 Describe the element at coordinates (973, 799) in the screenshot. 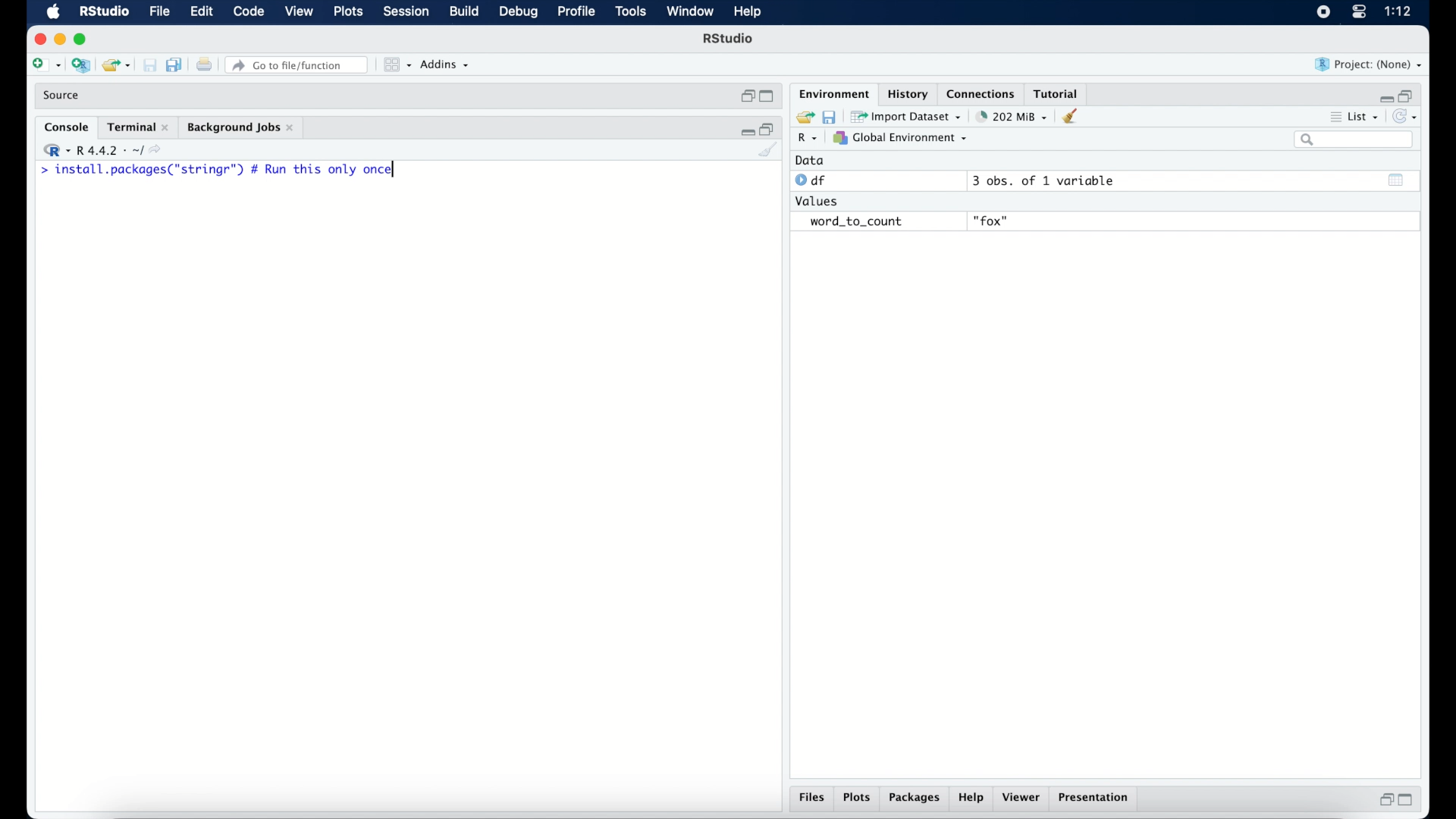

I see `help` at that location.